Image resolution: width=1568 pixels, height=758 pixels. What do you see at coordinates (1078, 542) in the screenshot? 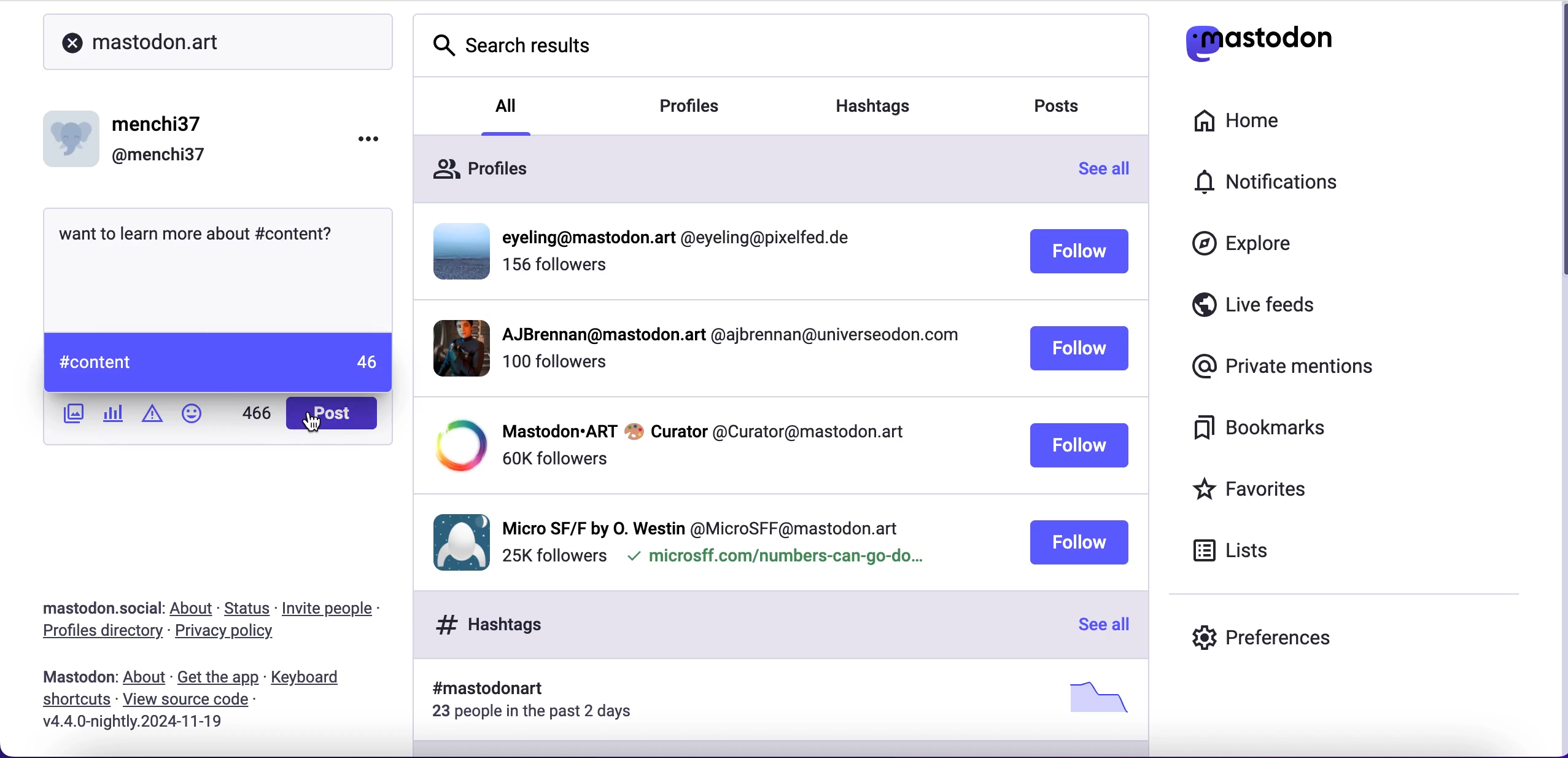
I see `follow` at bounding box center [1078, 542].